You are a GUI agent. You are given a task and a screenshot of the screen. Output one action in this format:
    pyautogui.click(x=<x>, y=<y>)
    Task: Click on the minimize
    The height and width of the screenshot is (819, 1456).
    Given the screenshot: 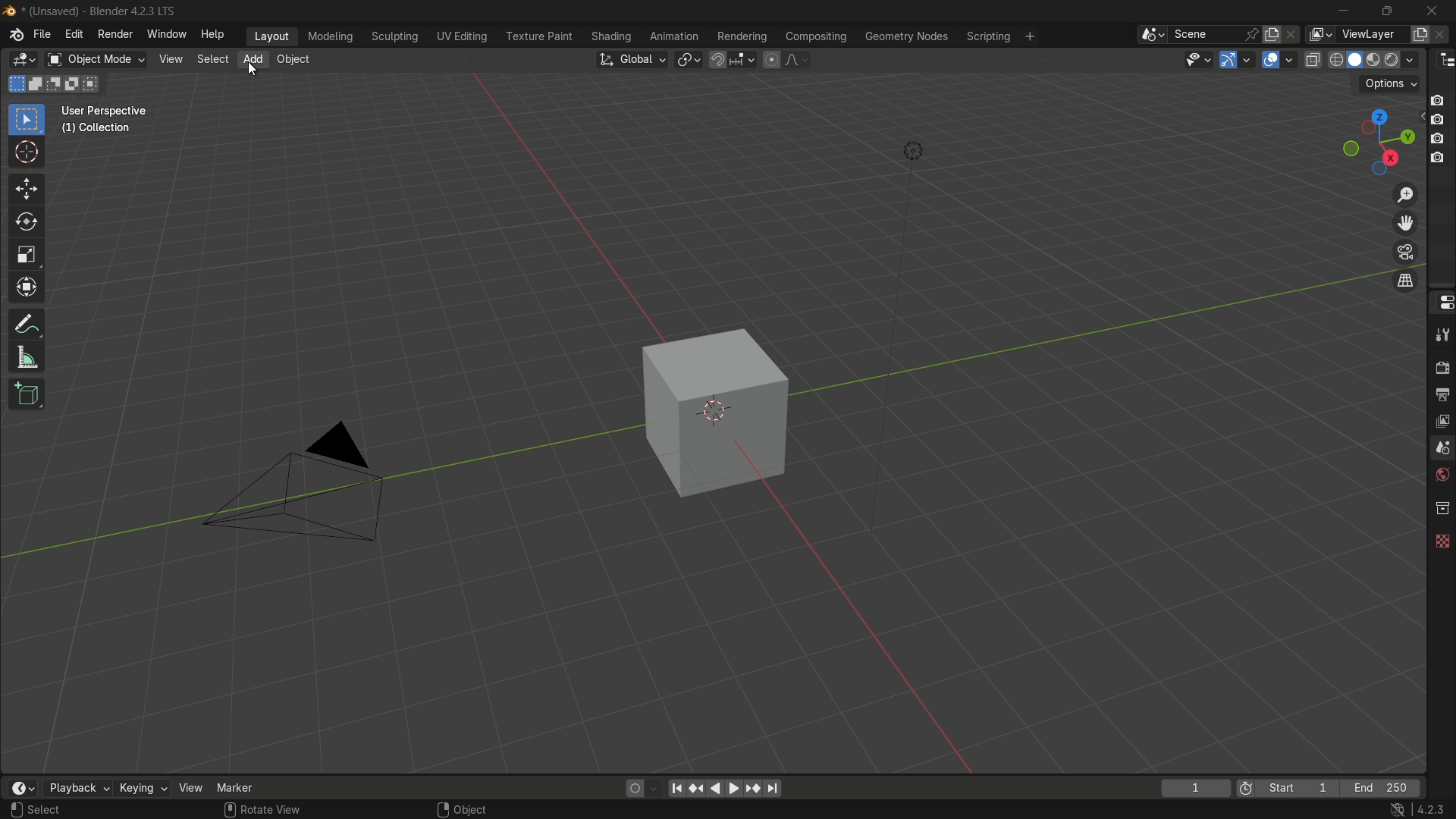 What is the action you would take?
    pyautogui.click(x=1344, y=12)
    